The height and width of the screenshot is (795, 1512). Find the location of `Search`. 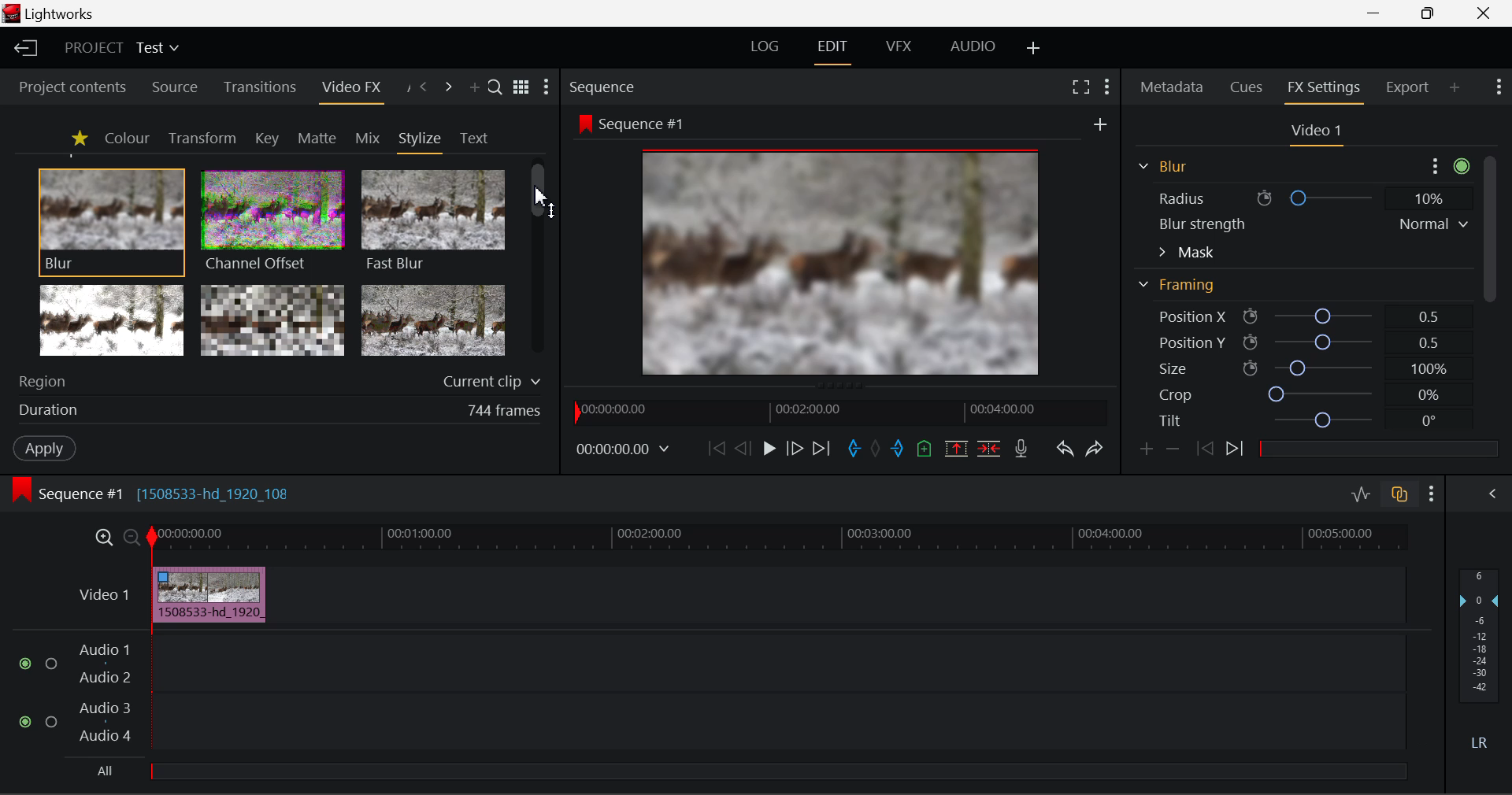

Search is located at coordinates (496, 89).